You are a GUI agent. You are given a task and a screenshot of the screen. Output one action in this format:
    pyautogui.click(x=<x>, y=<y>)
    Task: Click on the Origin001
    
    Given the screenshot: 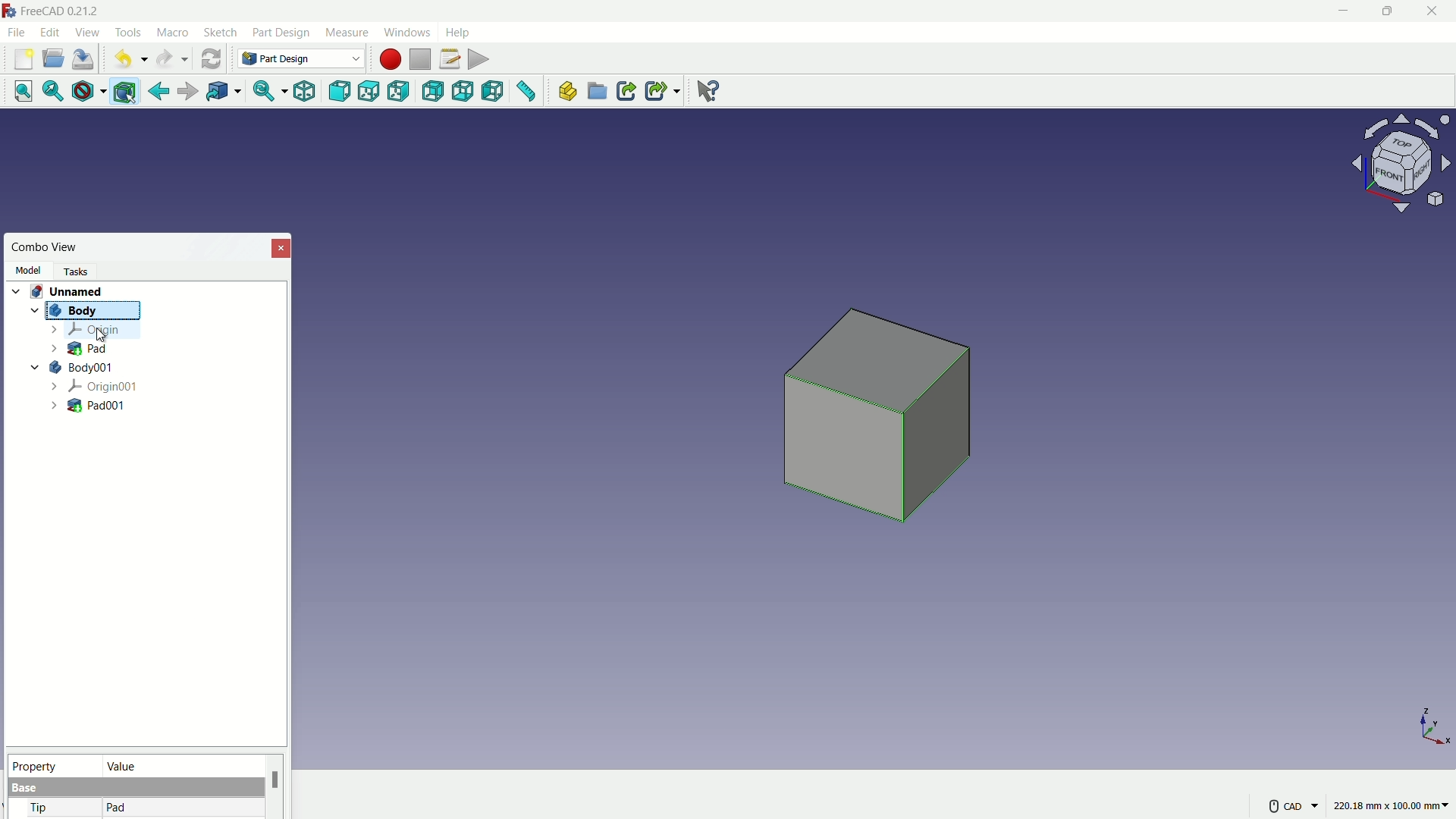 What is the action you would take?
    pyautogui.click(x=96, y=385)
    